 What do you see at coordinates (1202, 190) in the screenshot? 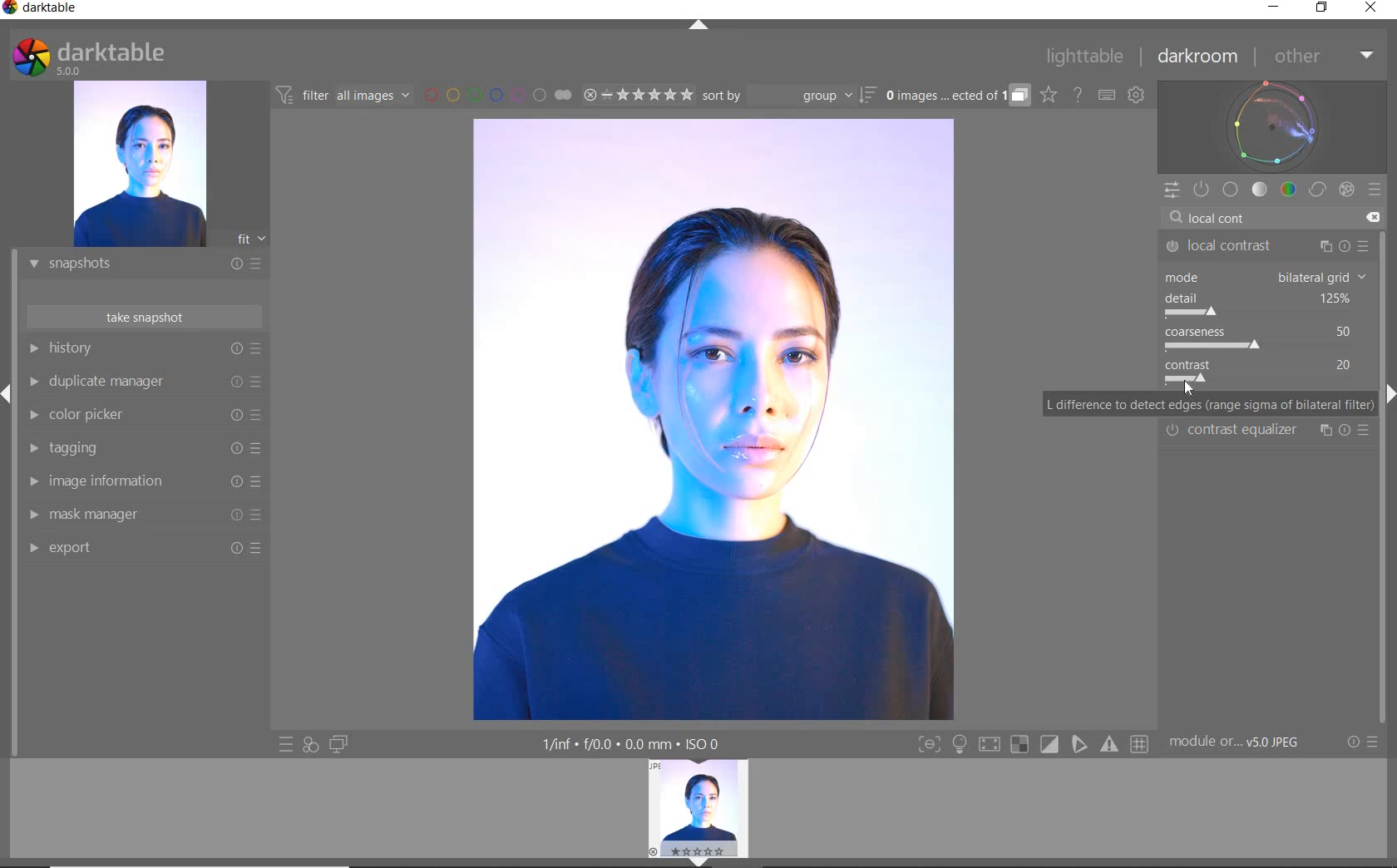
I see `SHOW ONLY ACTIVE MODULES` at bounding box center [1202, 190].